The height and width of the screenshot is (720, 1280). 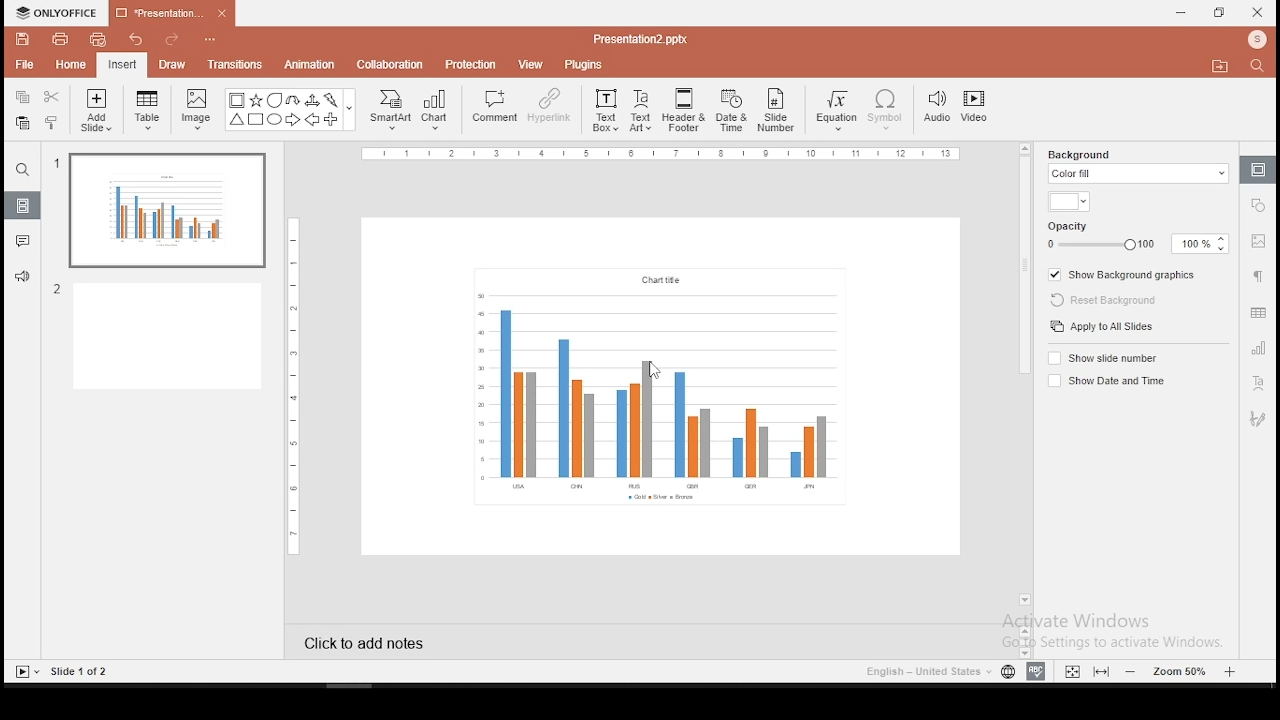 What do you see at coordinates (60, 40) in the screenshot?
I see `print file` at bounding box center [60, 40].